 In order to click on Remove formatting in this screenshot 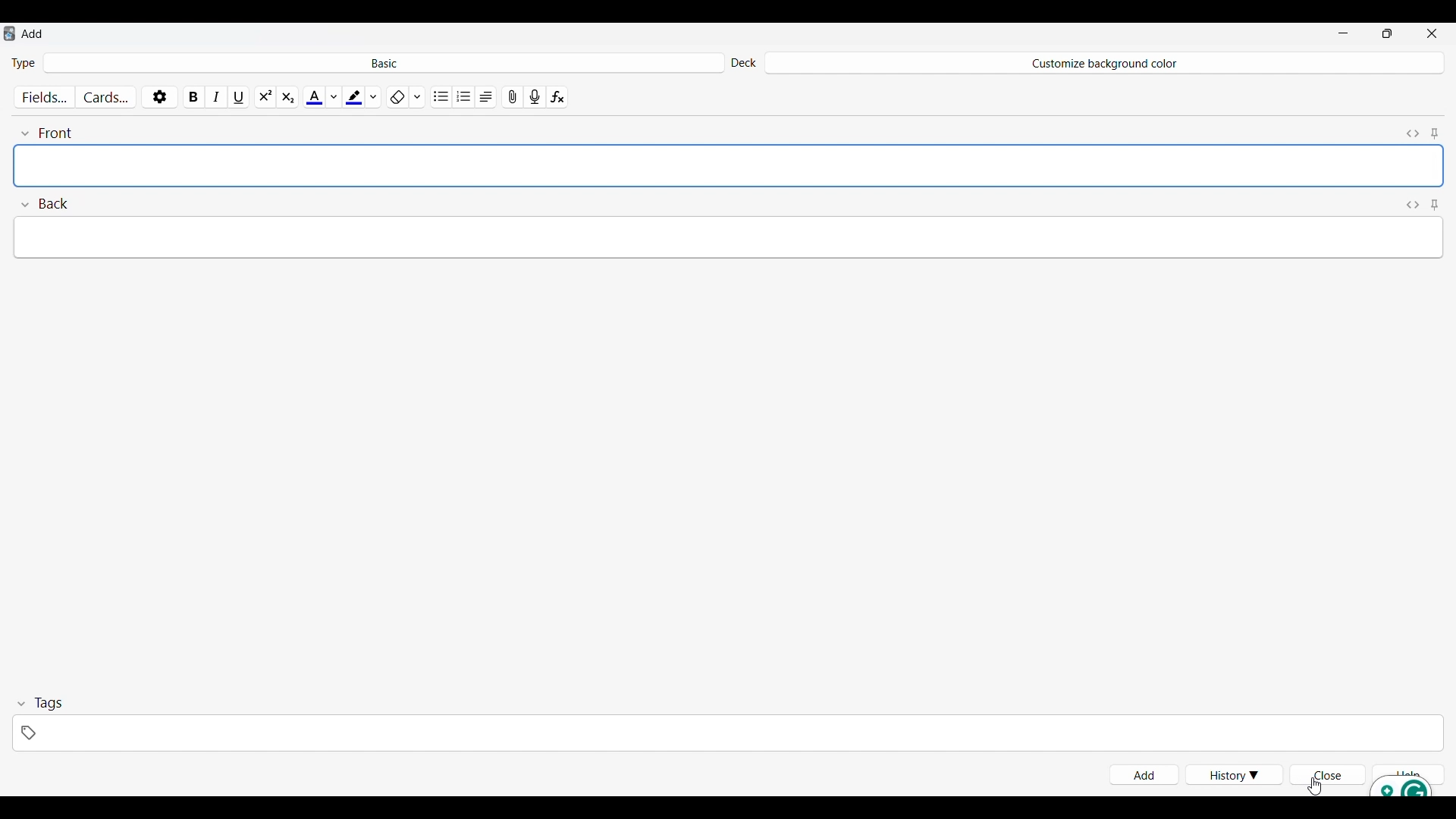, I will do `click(397, 95)`.